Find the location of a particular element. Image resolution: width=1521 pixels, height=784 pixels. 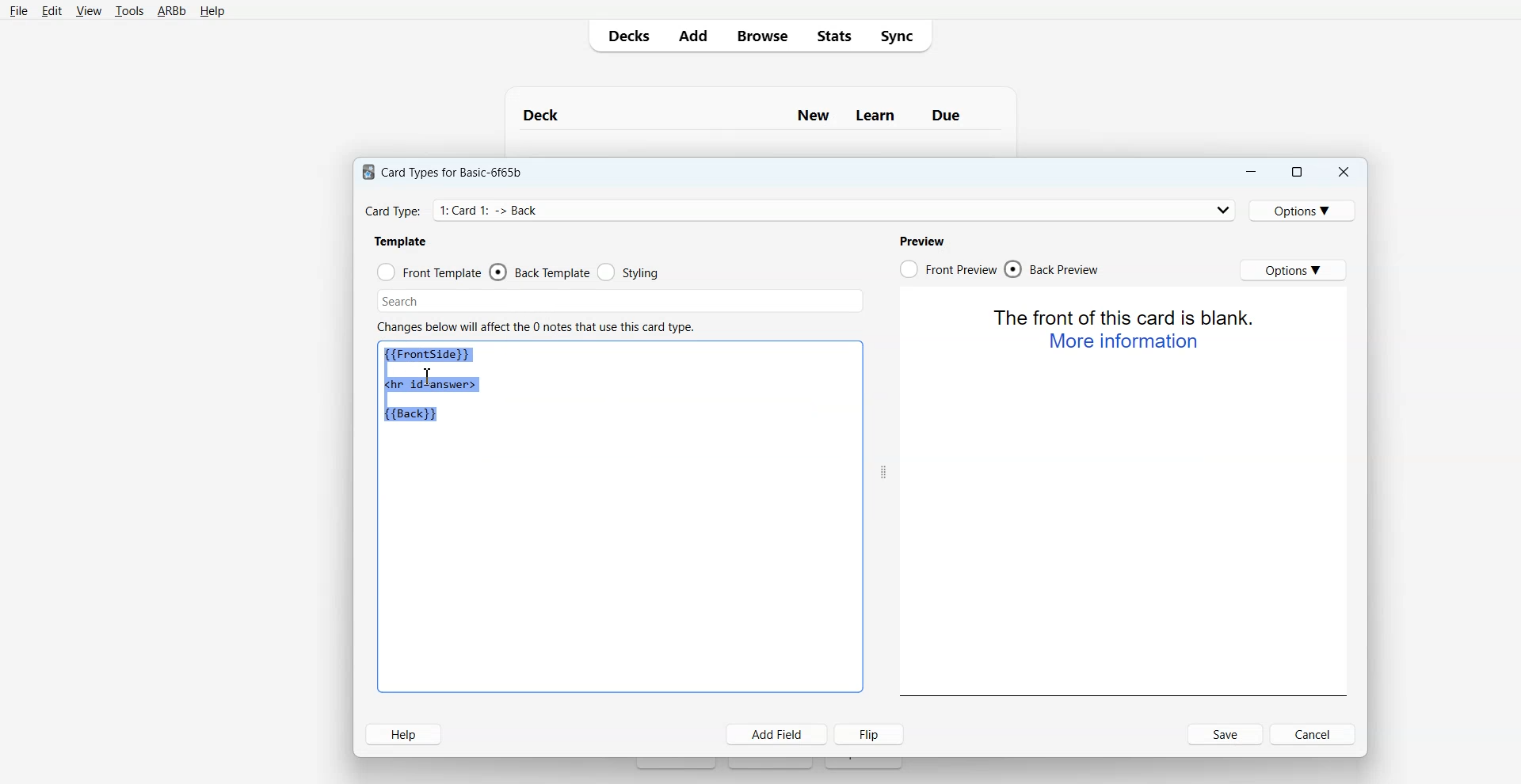

Sync is located at coordinates (902, 36).